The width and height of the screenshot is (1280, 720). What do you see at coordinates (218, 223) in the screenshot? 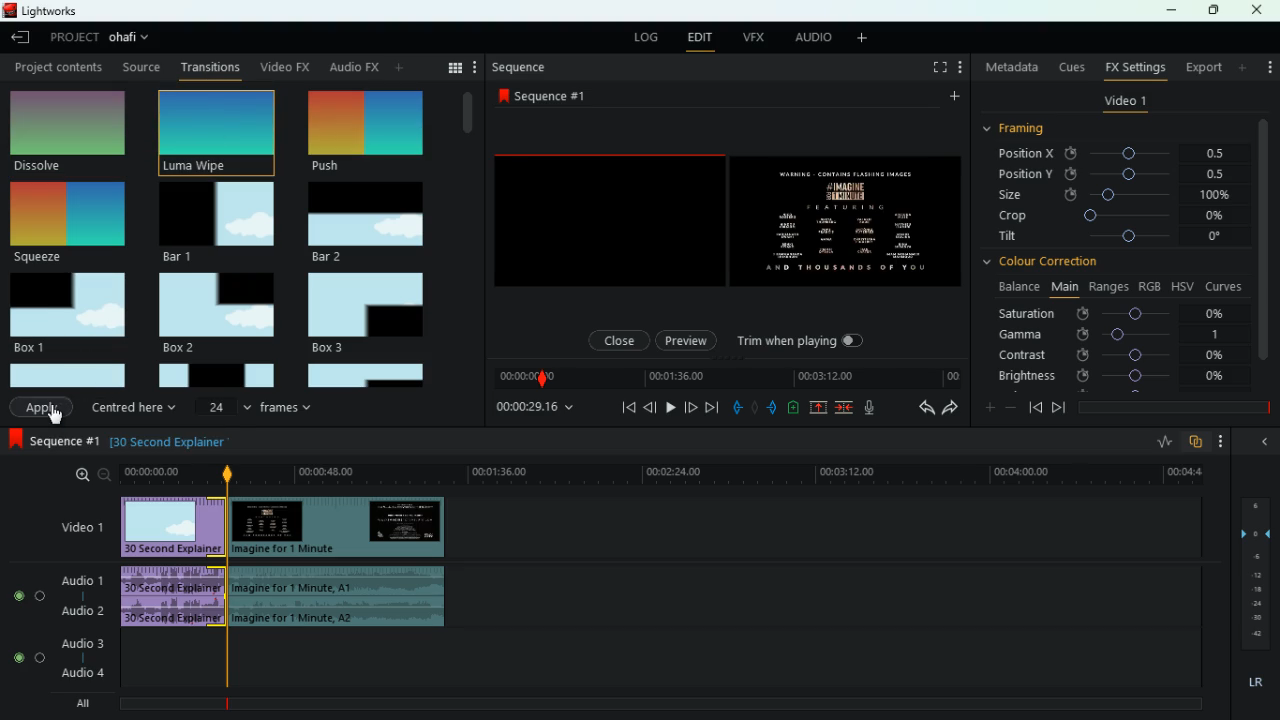
I see `bar 1` at bounding box center [218, 223].